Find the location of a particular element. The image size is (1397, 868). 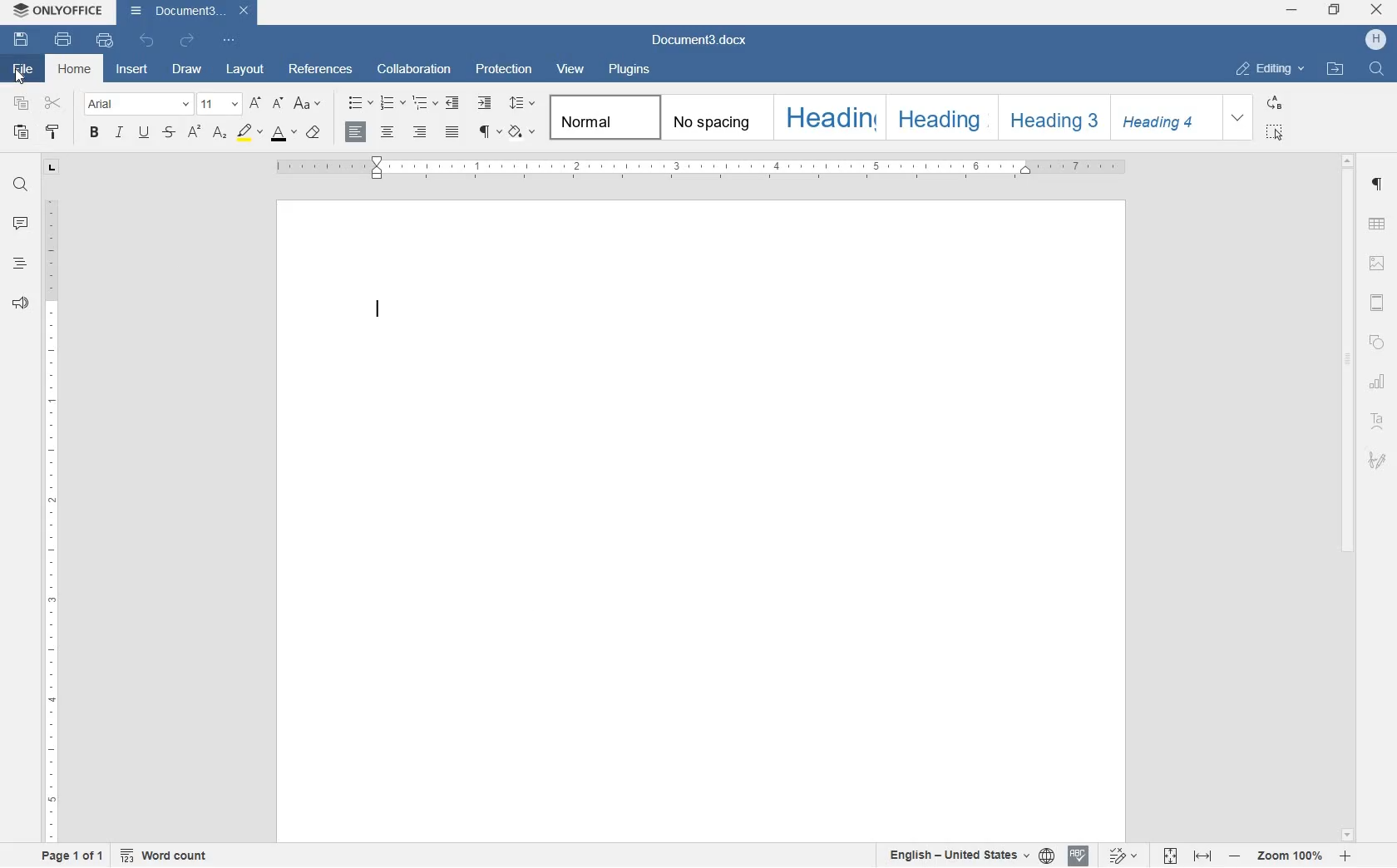

underline is located at coordinates (144, 132).